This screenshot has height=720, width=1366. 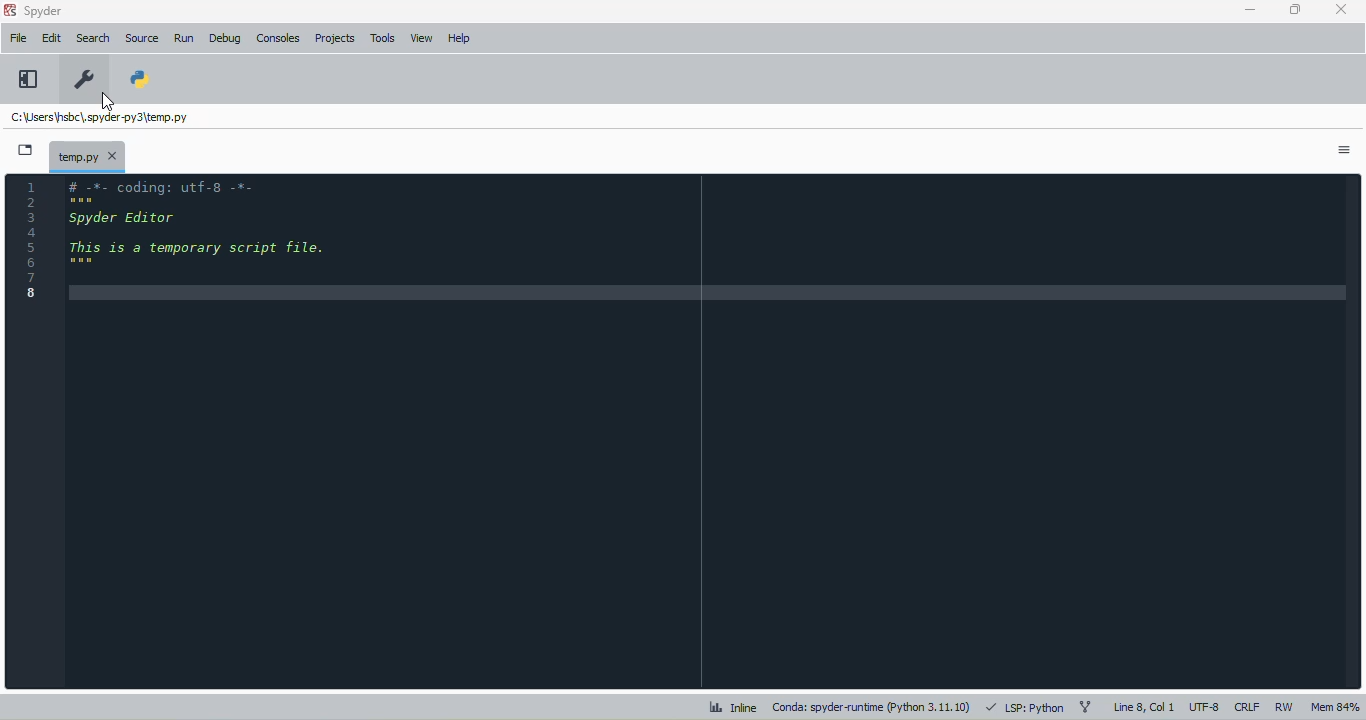 What do you see at coordinates (44, 11) in the screenshot?
I see `spyder` at bounding box center [44, 11].